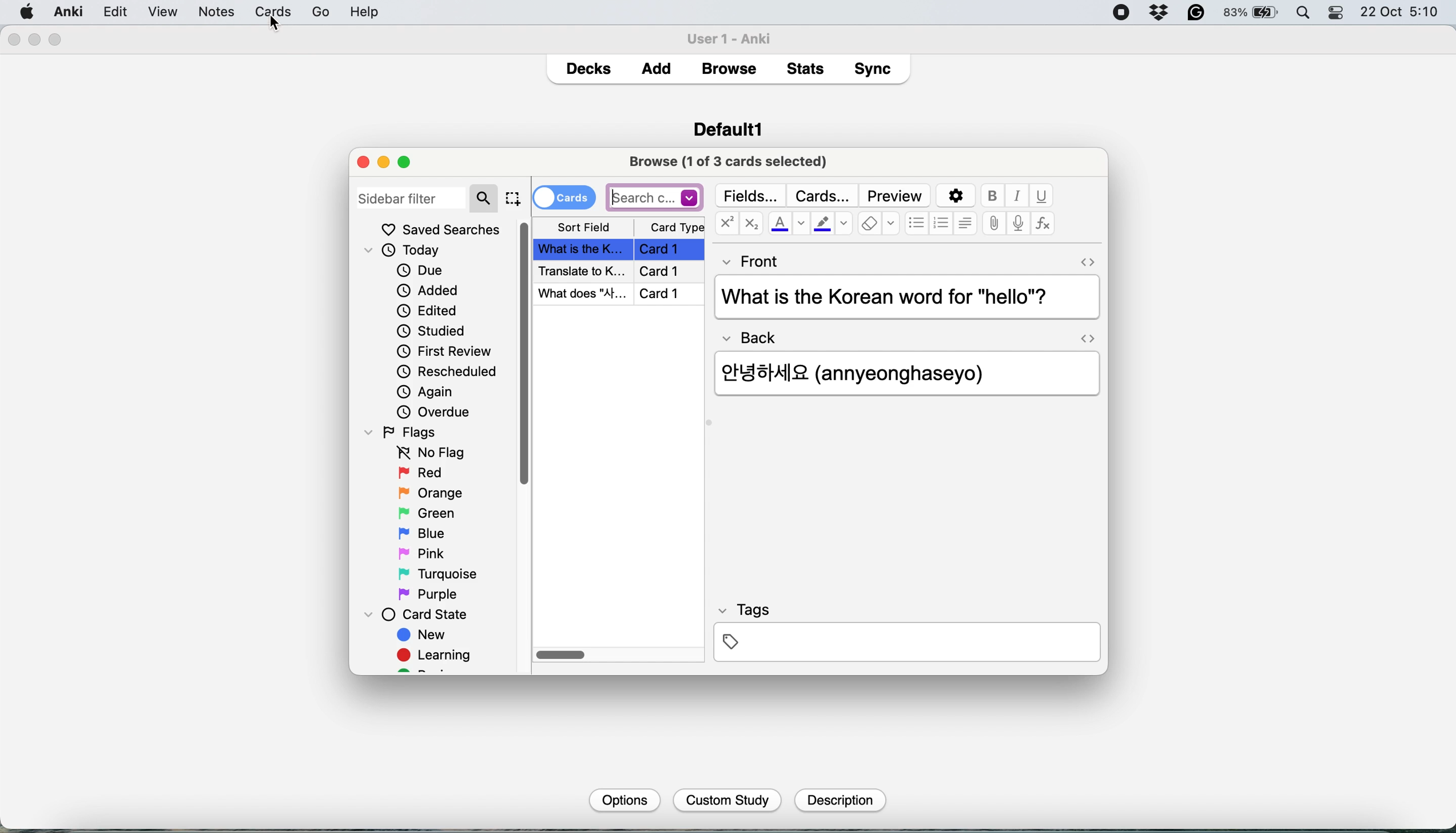 This screenshot has width=1456, height=833. I want to click on purple, so click(430, 594).